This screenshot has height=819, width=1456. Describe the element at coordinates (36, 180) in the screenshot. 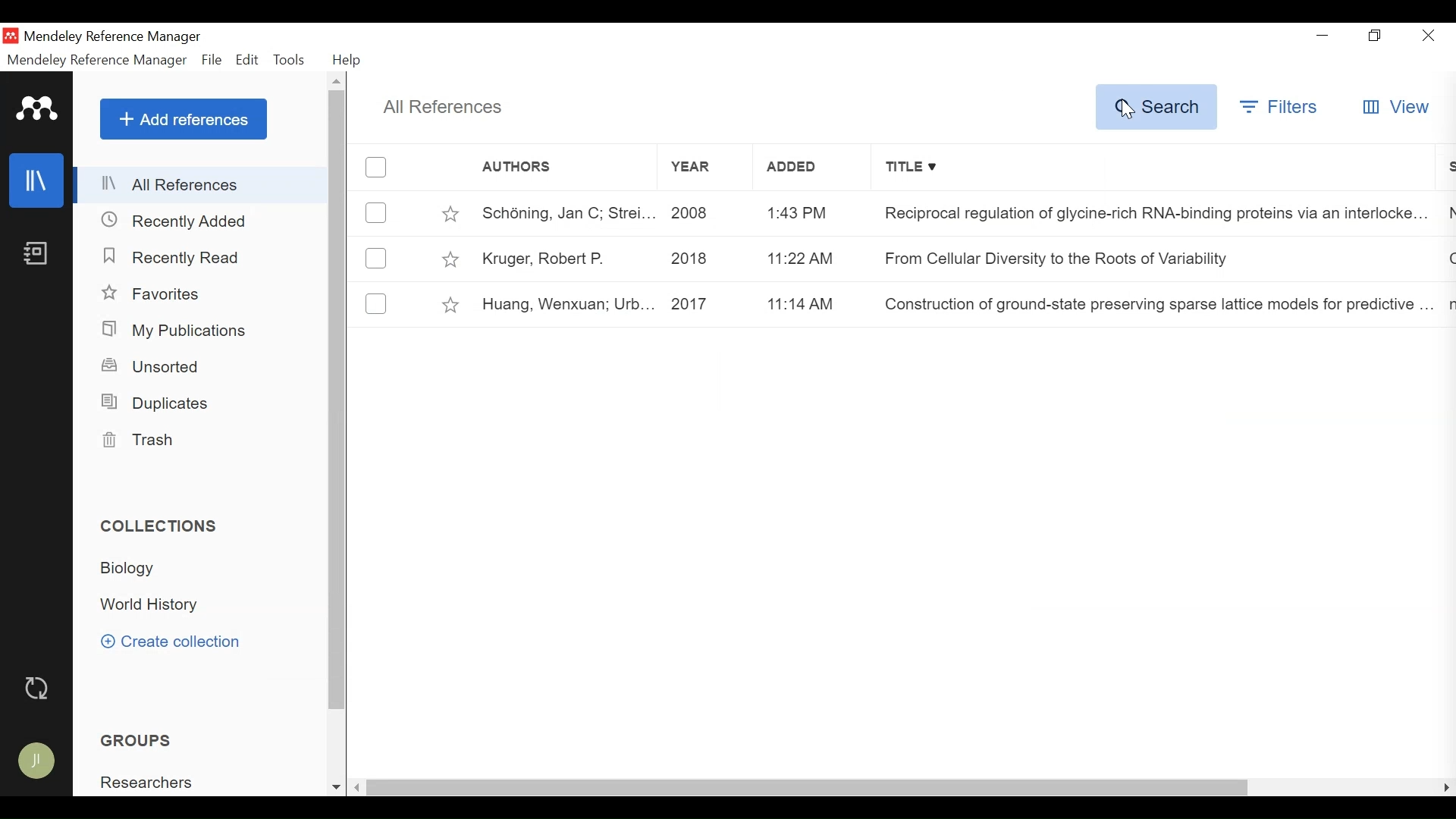

I see `Library` at that location.